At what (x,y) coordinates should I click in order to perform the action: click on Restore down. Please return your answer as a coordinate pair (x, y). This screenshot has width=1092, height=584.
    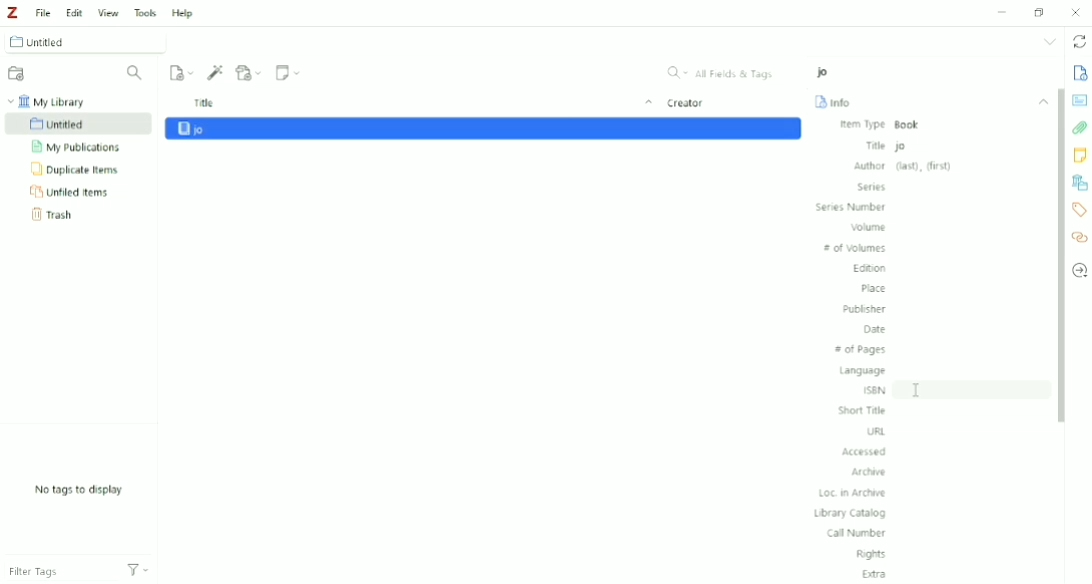
    Looking at the image, I should click on (1038, 12).